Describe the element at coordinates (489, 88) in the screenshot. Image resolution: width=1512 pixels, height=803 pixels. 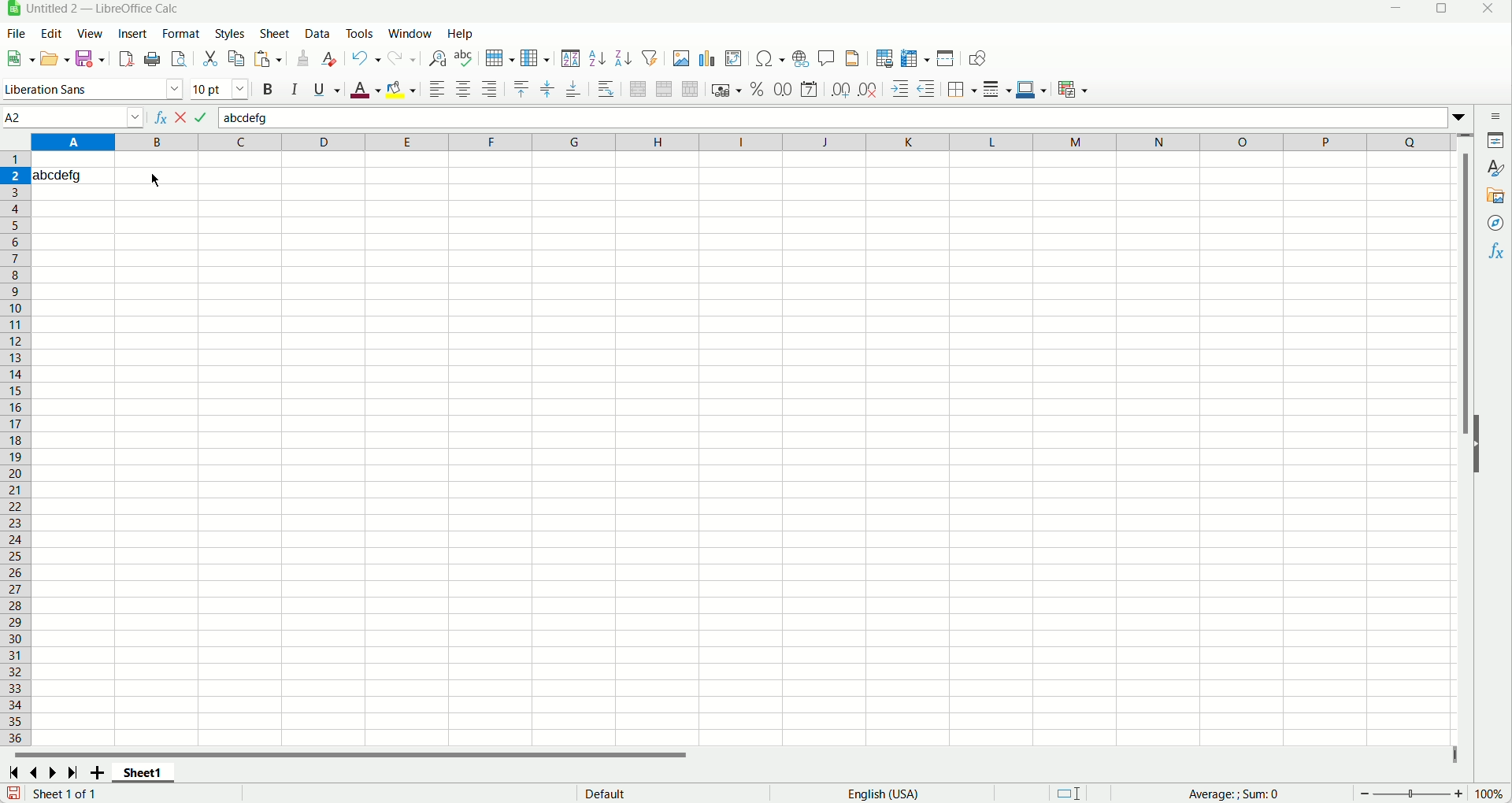
I see `align right` at that location.